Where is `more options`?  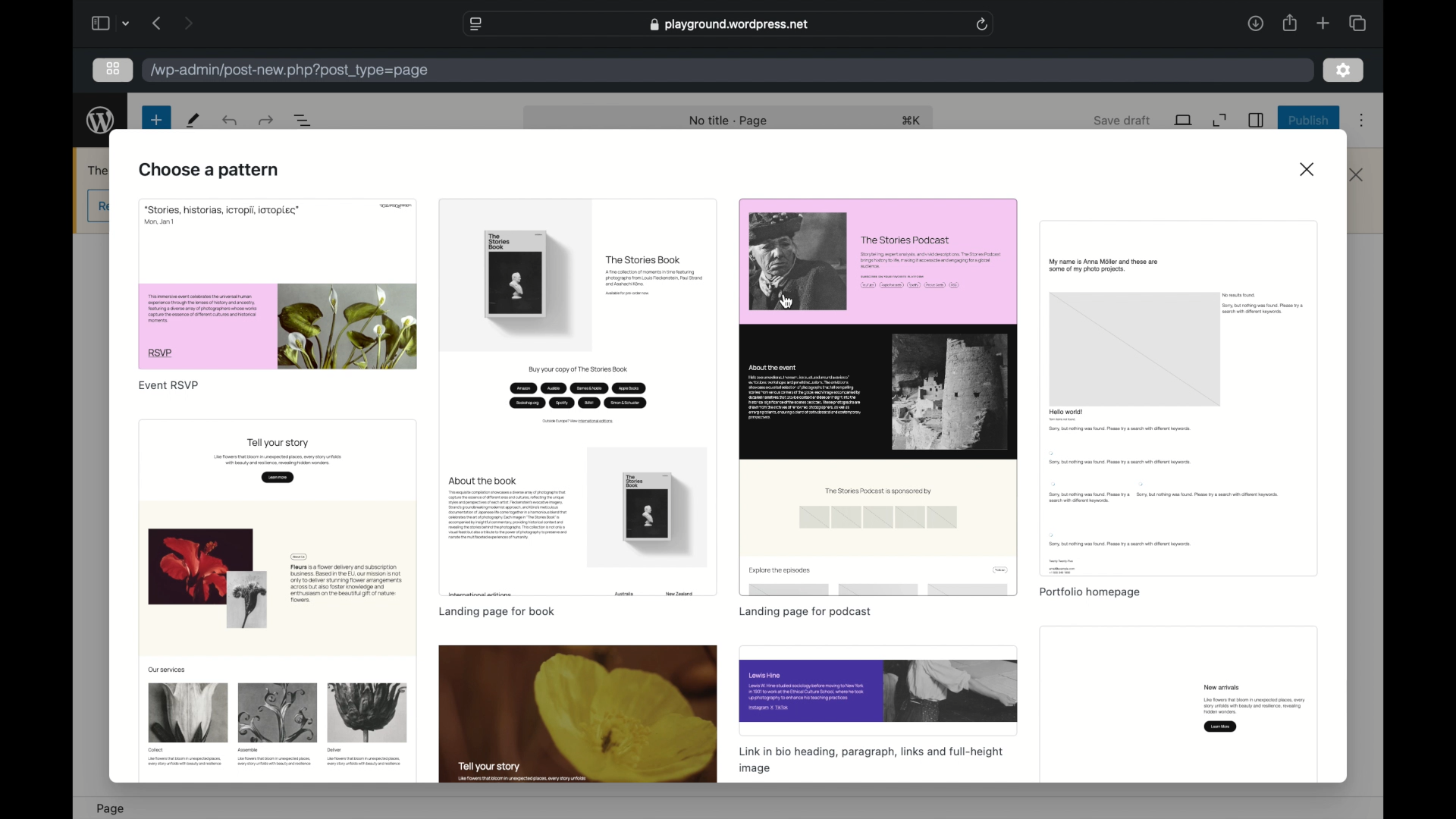
more options is located at coordinates (1362, 121).